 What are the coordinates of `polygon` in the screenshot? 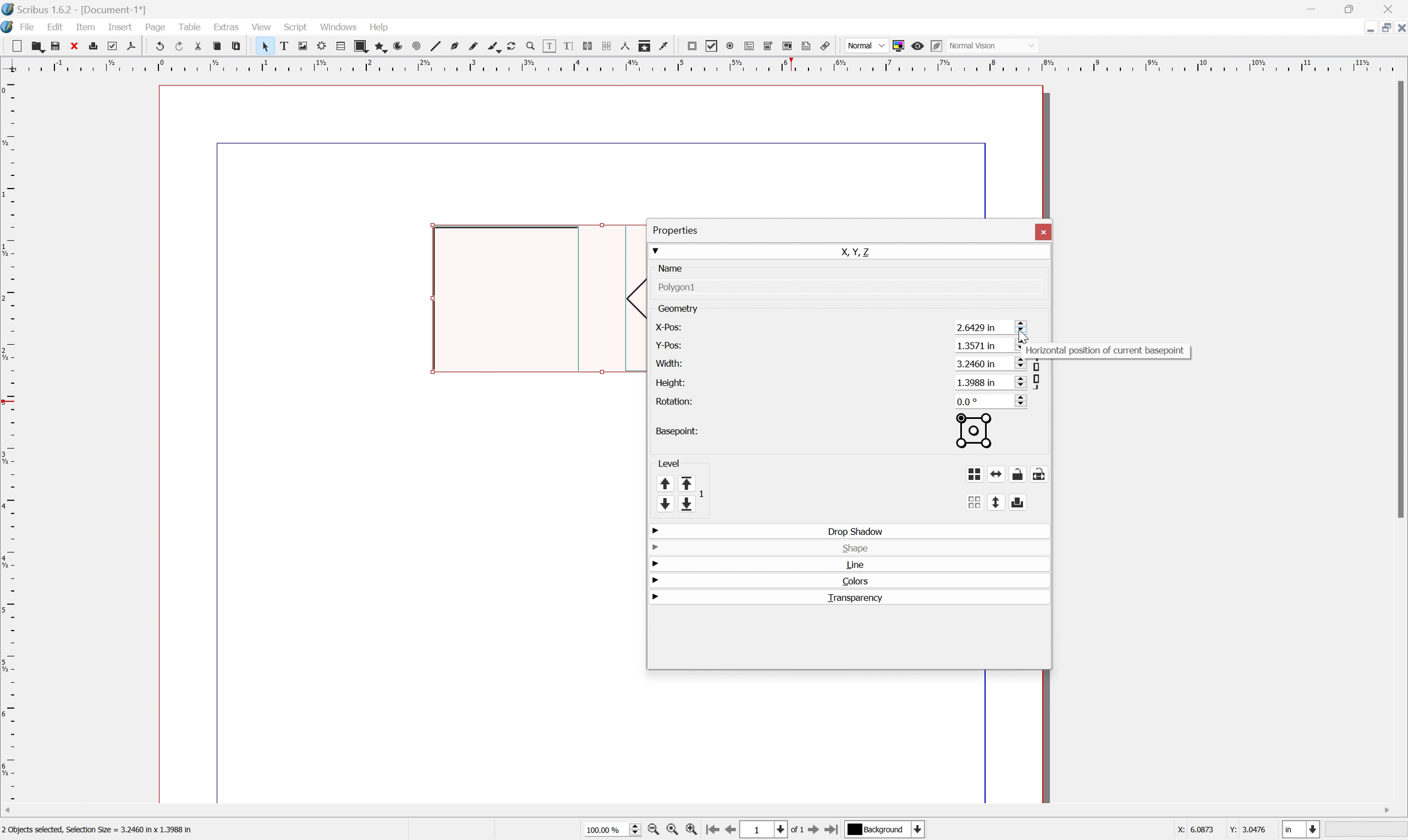 It's located at (376, 46).